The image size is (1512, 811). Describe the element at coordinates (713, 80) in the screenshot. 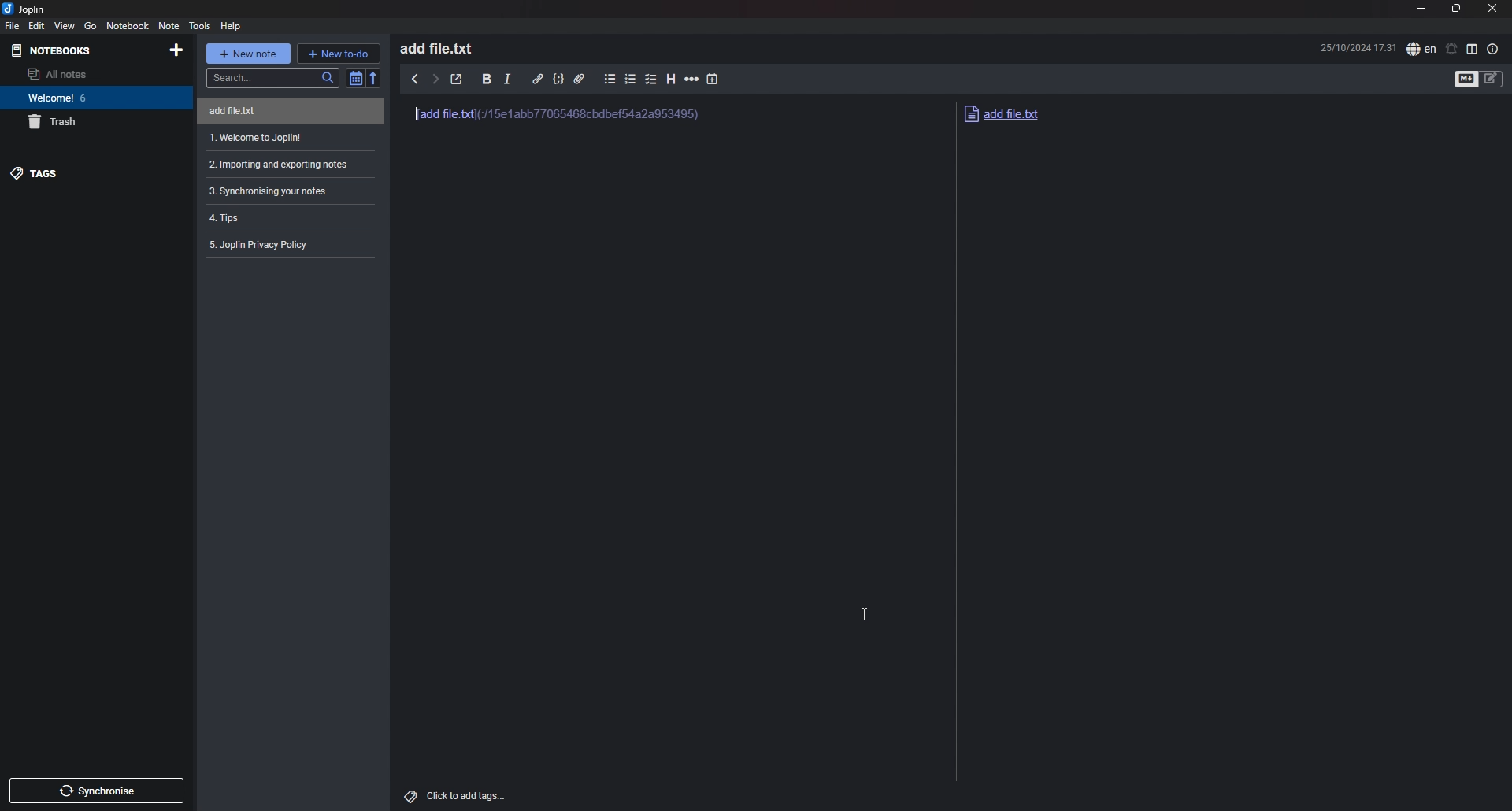

I see `insert time` at that location.